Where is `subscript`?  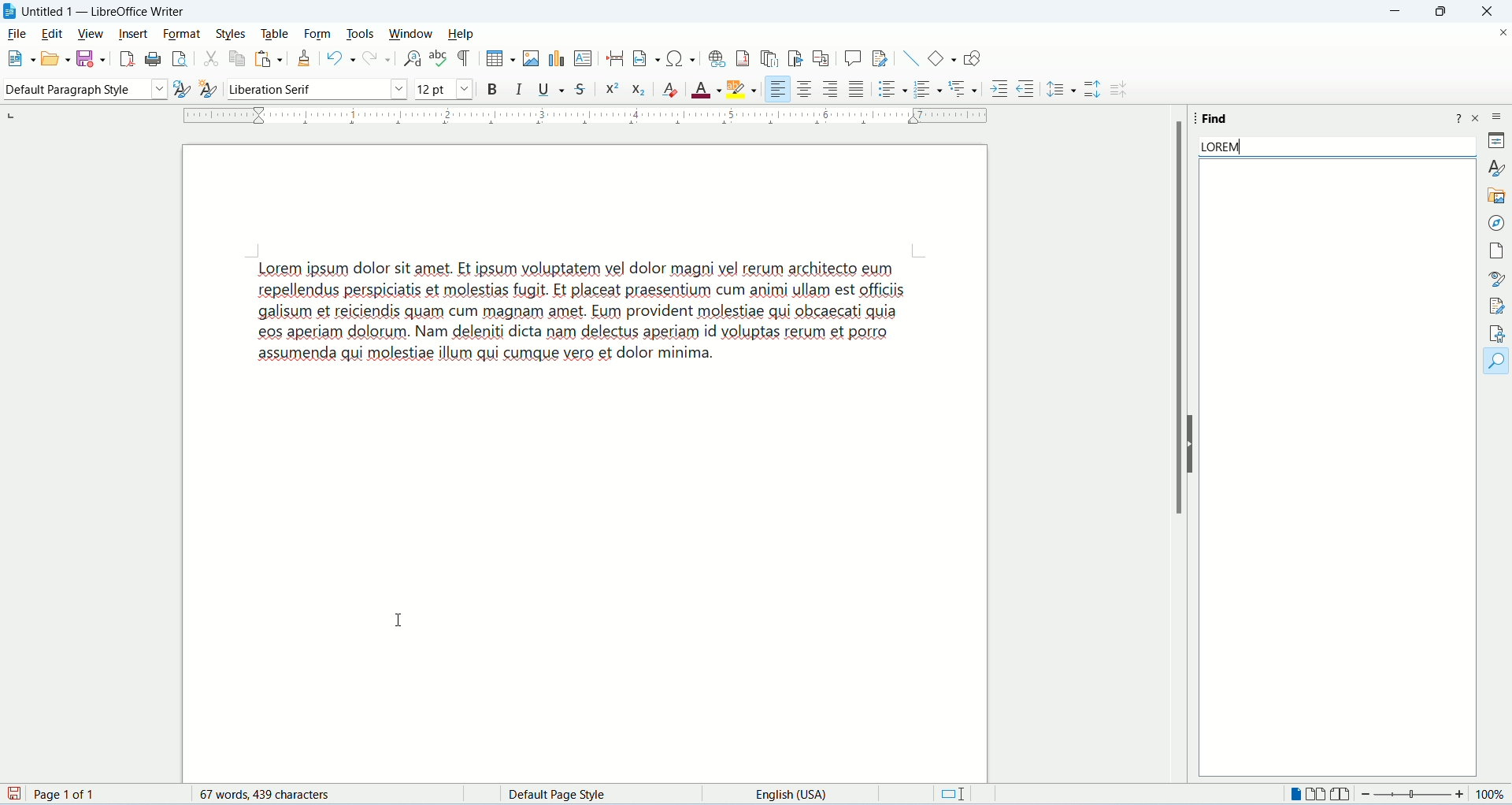
subscript is located at coordinates (638, 91).